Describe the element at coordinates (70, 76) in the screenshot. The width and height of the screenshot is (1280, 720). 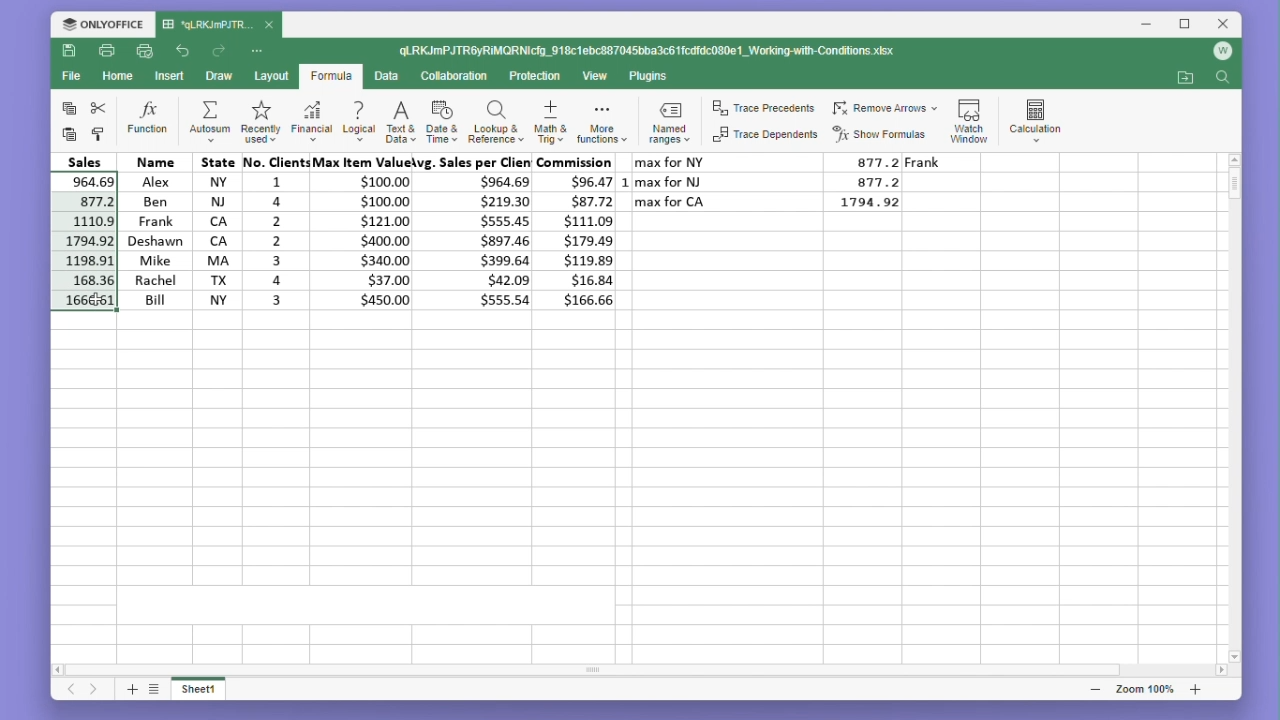
I see `File` at that location.